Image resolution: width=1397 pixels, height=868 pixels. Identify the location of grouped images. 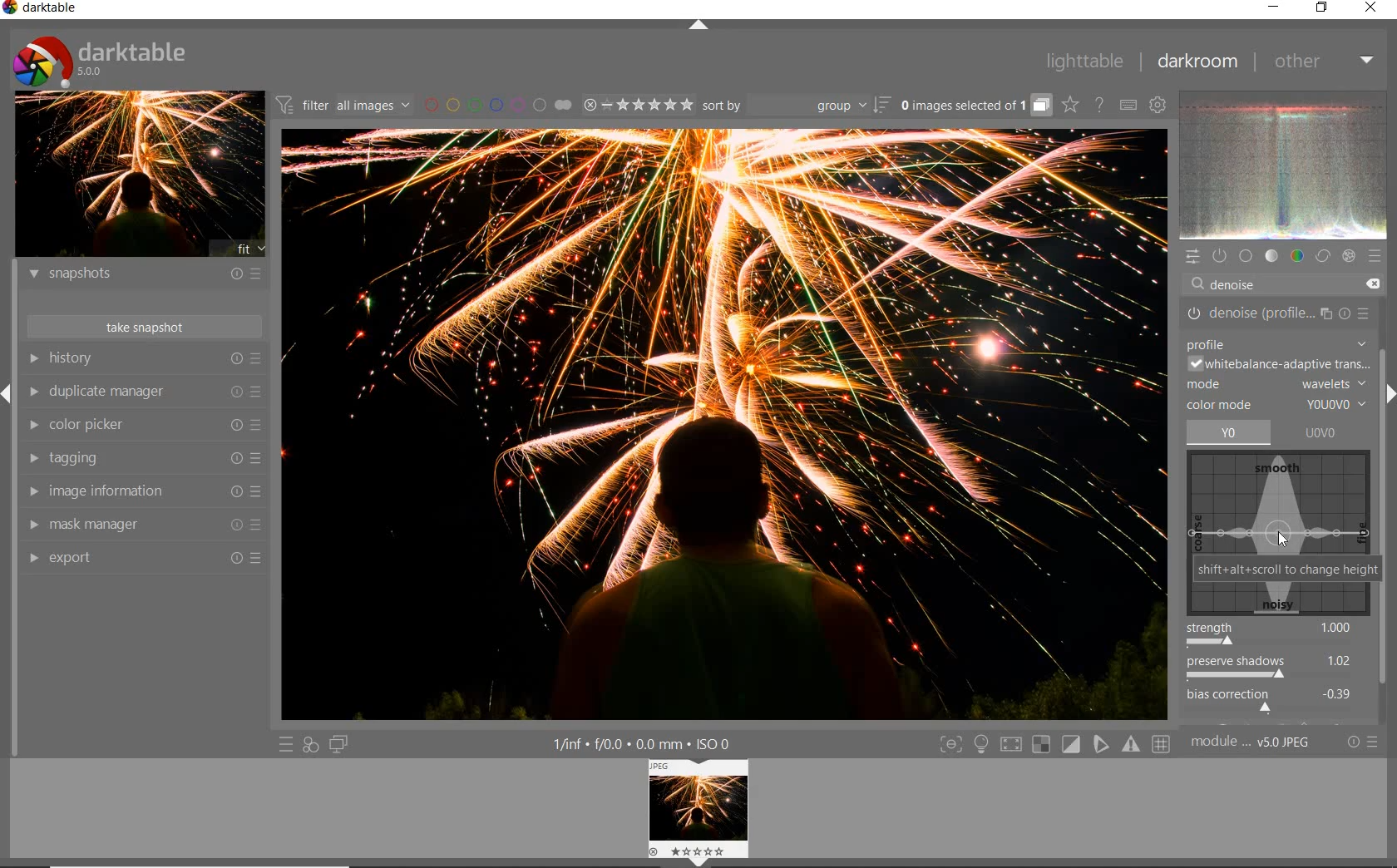
(975, 104).